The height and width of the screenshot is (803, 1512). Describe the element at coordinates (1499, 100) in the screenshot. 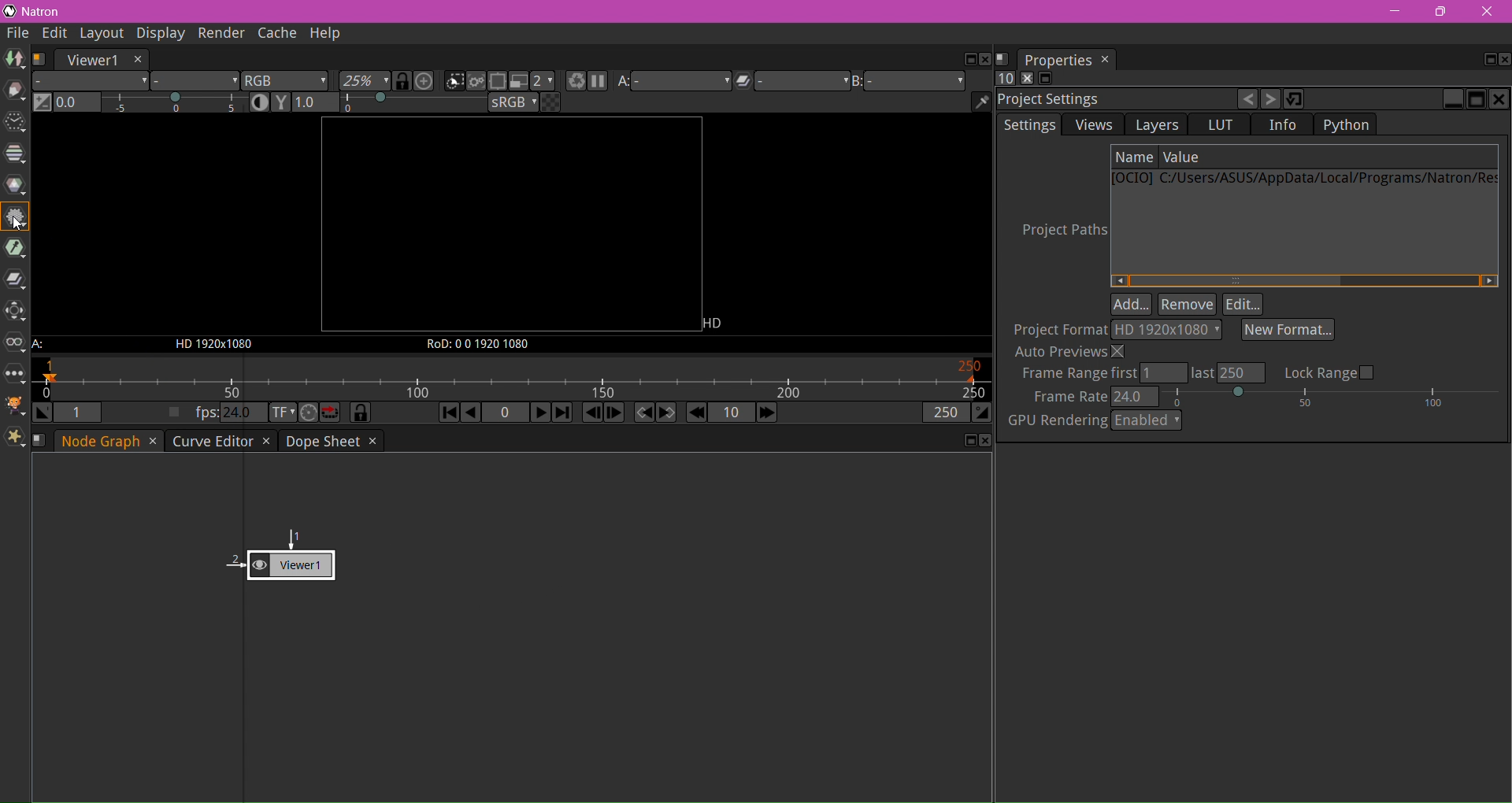

I see `Close pane` at that location.